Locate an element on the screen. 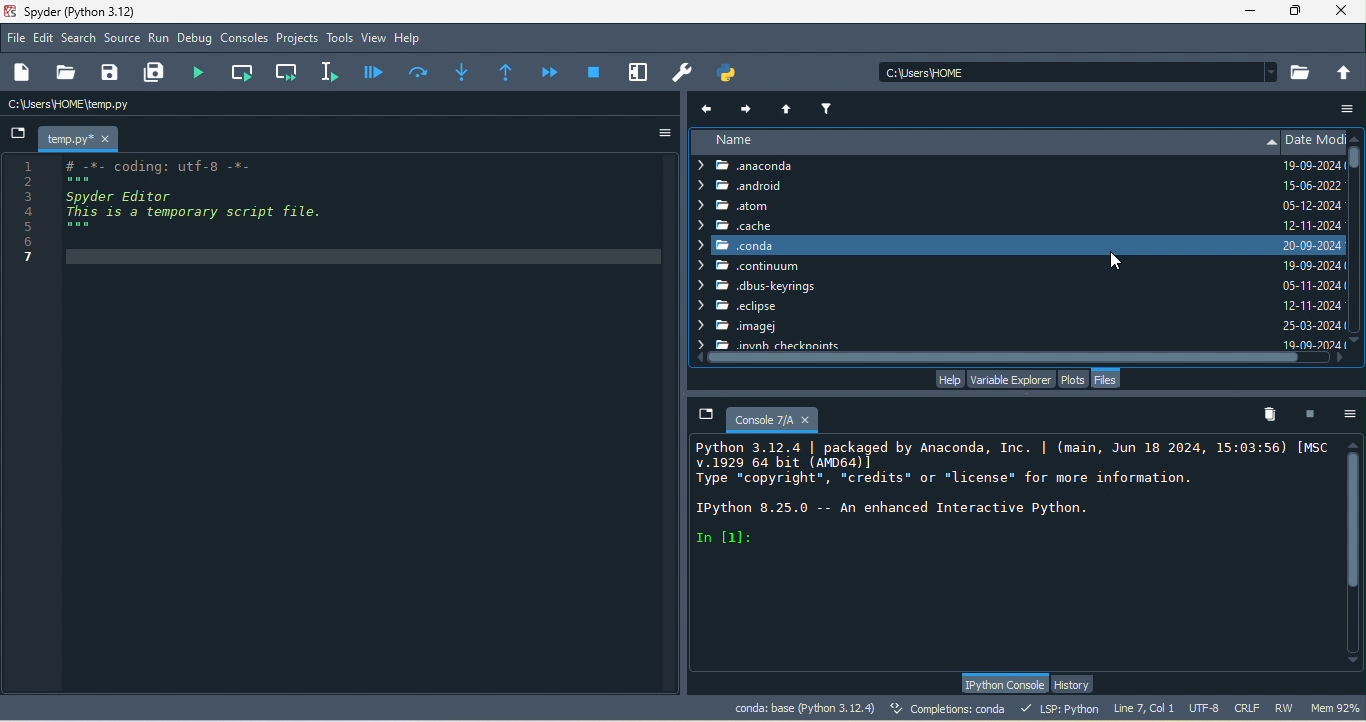 The width and height of the screenshot is (1366, 722). previous is located at coordinates (709, 108).